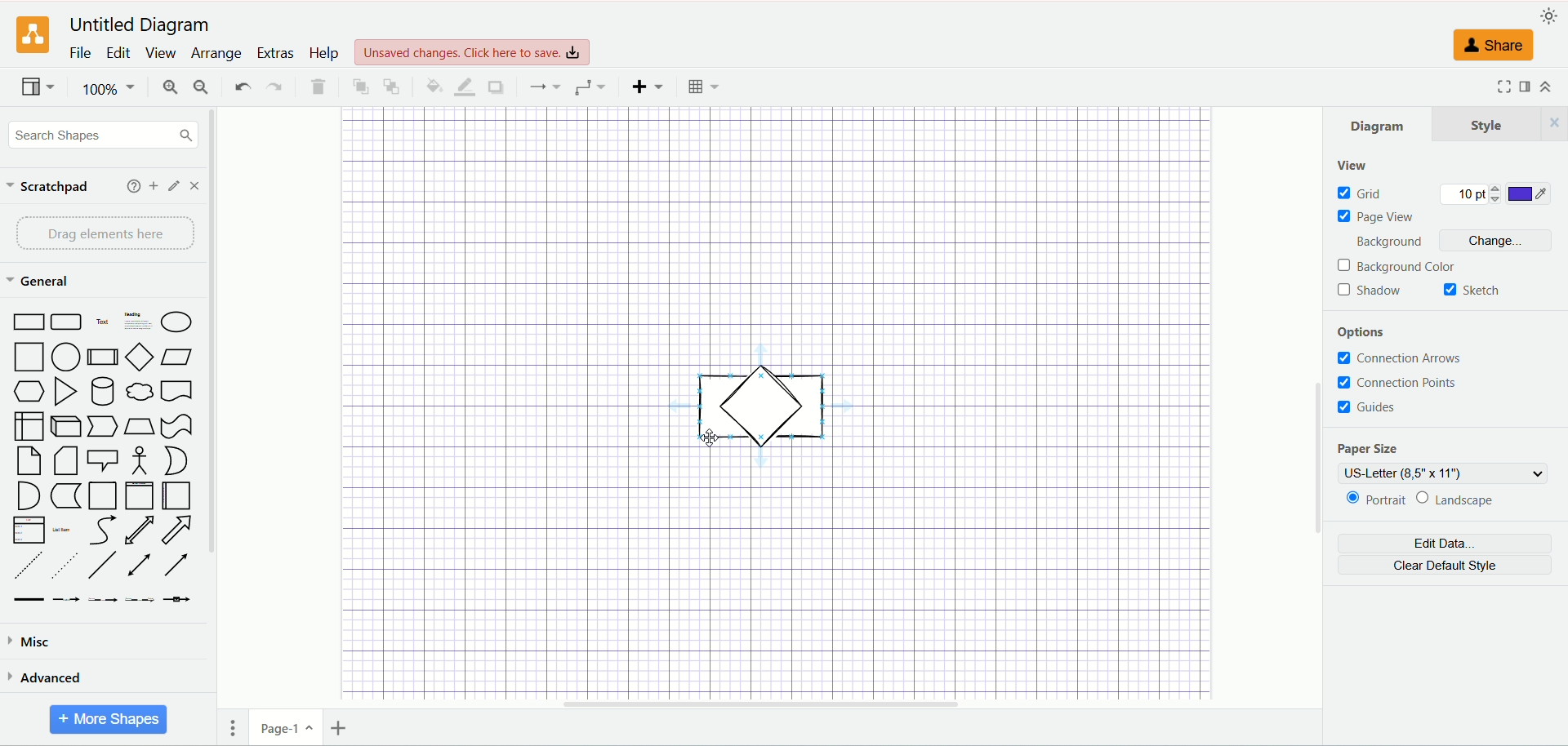 The image size is (1568, 746). I want to click on Rounded Rectangle, so click(67, 322).